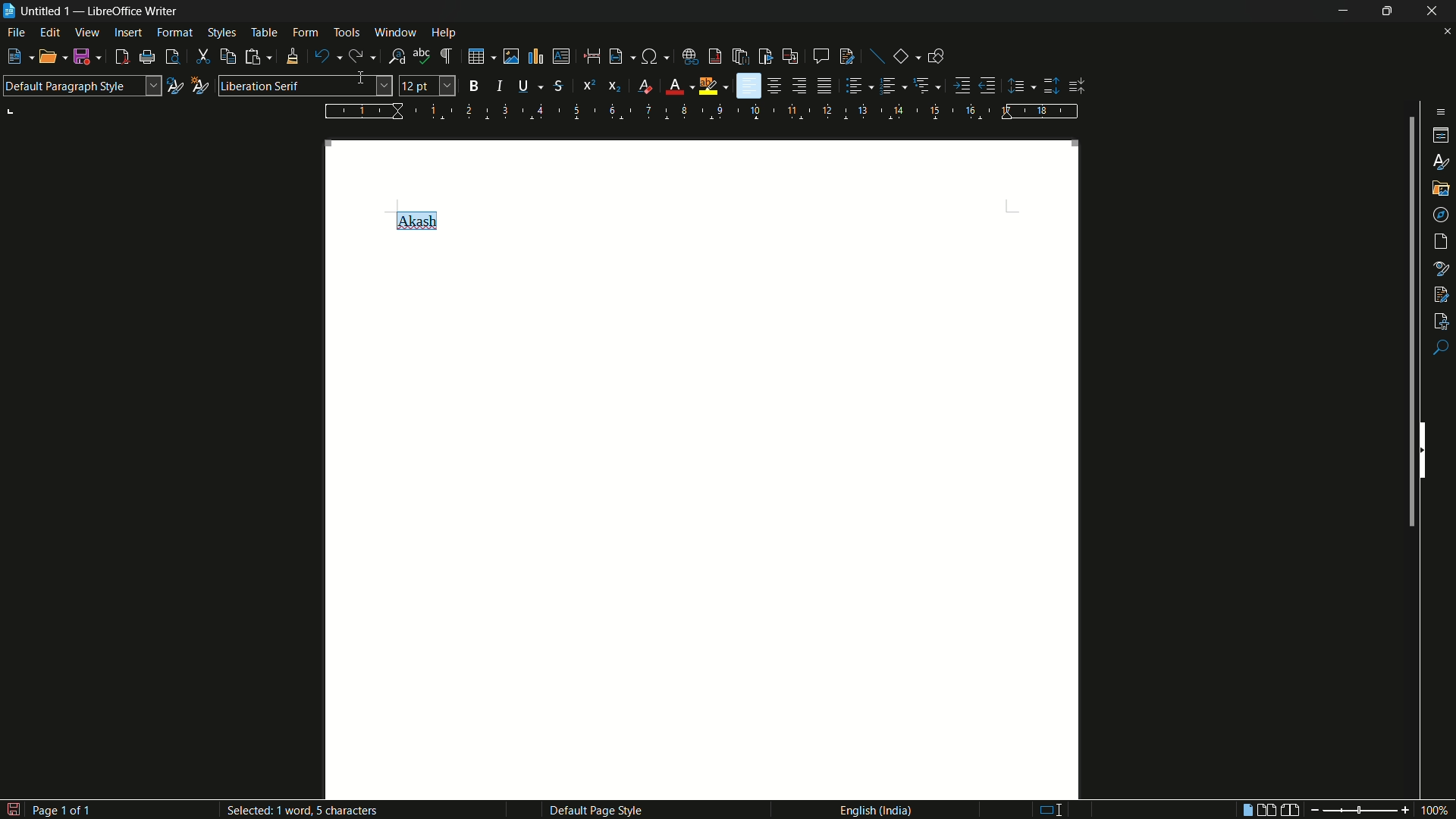 This screenshot has width=1456, height=819. What do you see at coordinates (291, 56) in the screenshot?
I see `clone formatting` at bounding box center [291, 56].